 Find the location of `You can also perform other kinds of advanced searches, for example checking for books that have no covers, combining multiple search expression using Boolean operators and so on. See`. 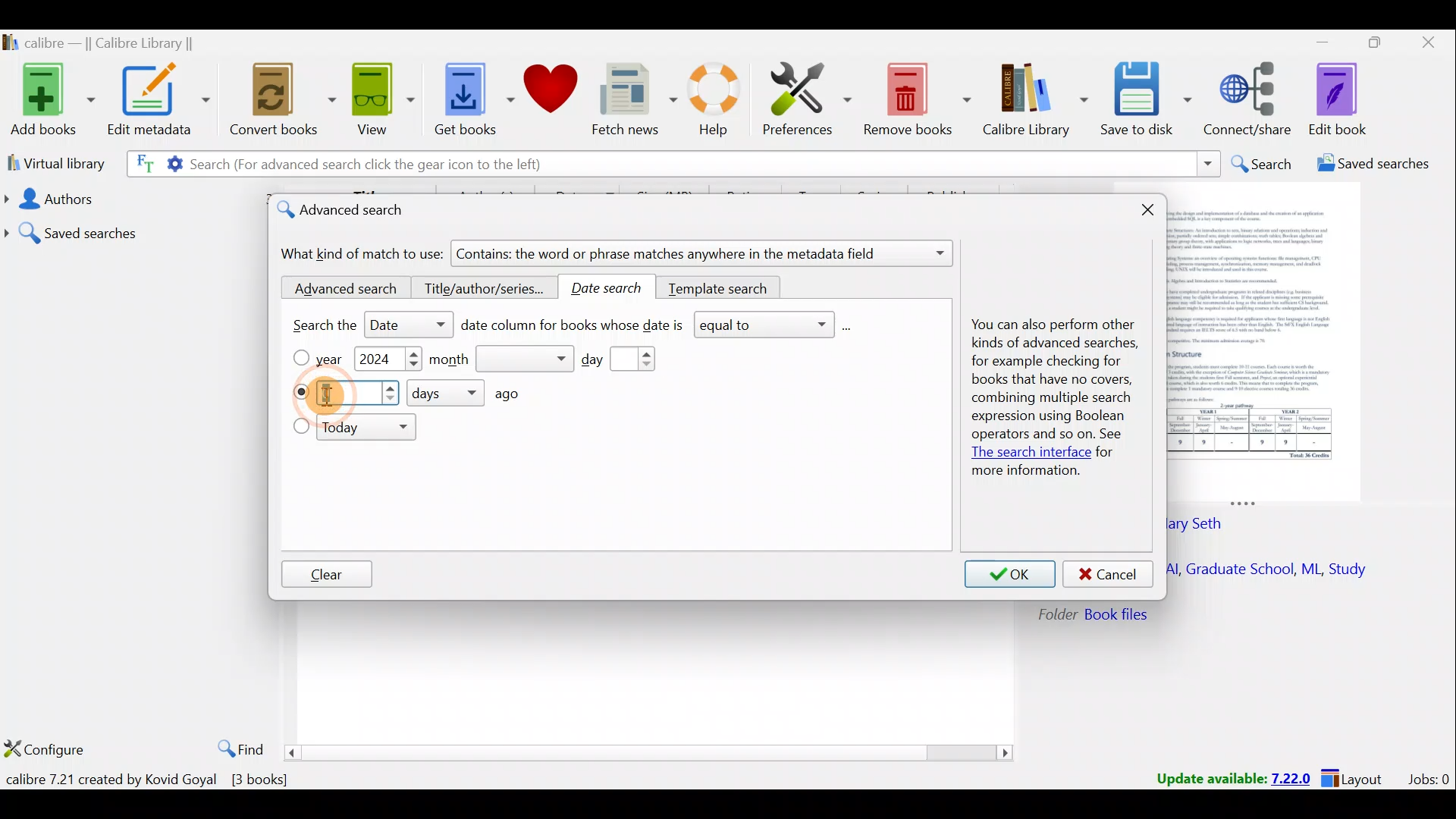

You can also perform other kinds of advanced searches, for example checking for books that have no covers, combining multiple search expression using Boolean operators and so on. See is located at coordinates (1050, 382).